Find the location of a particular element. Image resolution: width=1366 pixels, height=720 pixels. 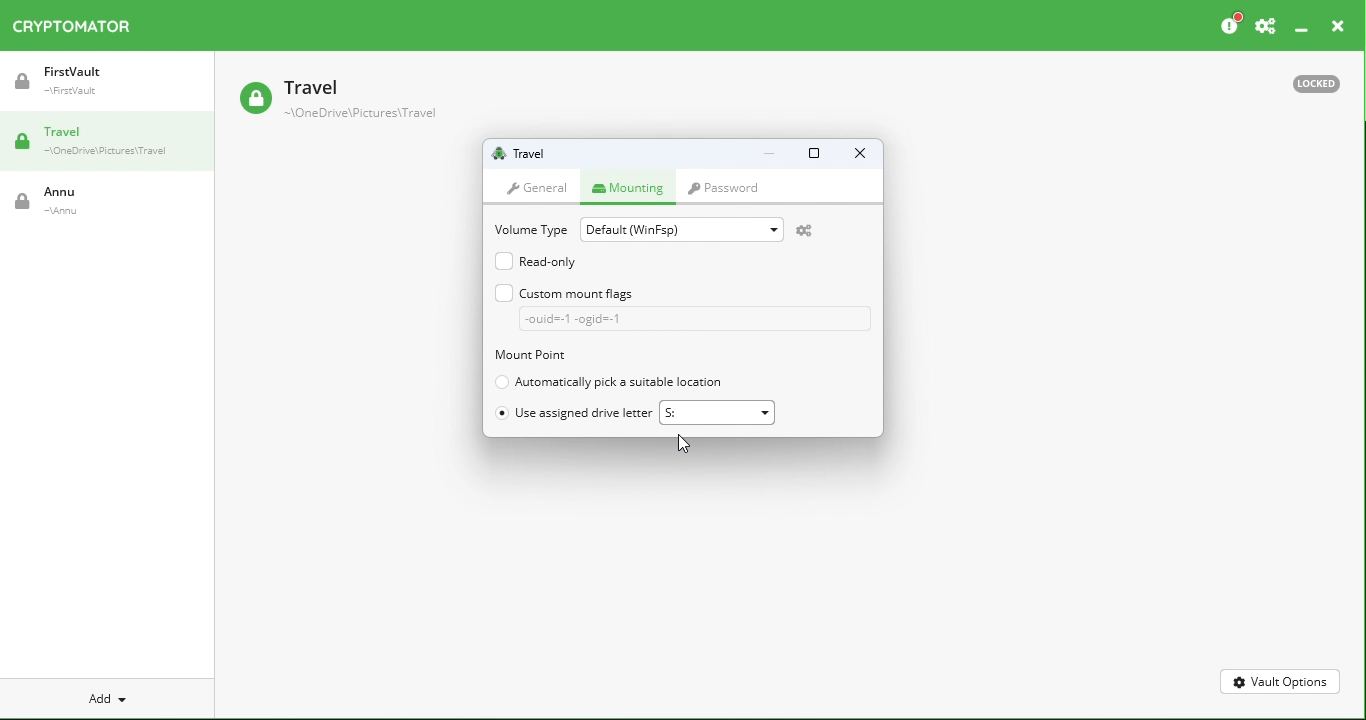

Mounting is located at coordinates (632, 186).